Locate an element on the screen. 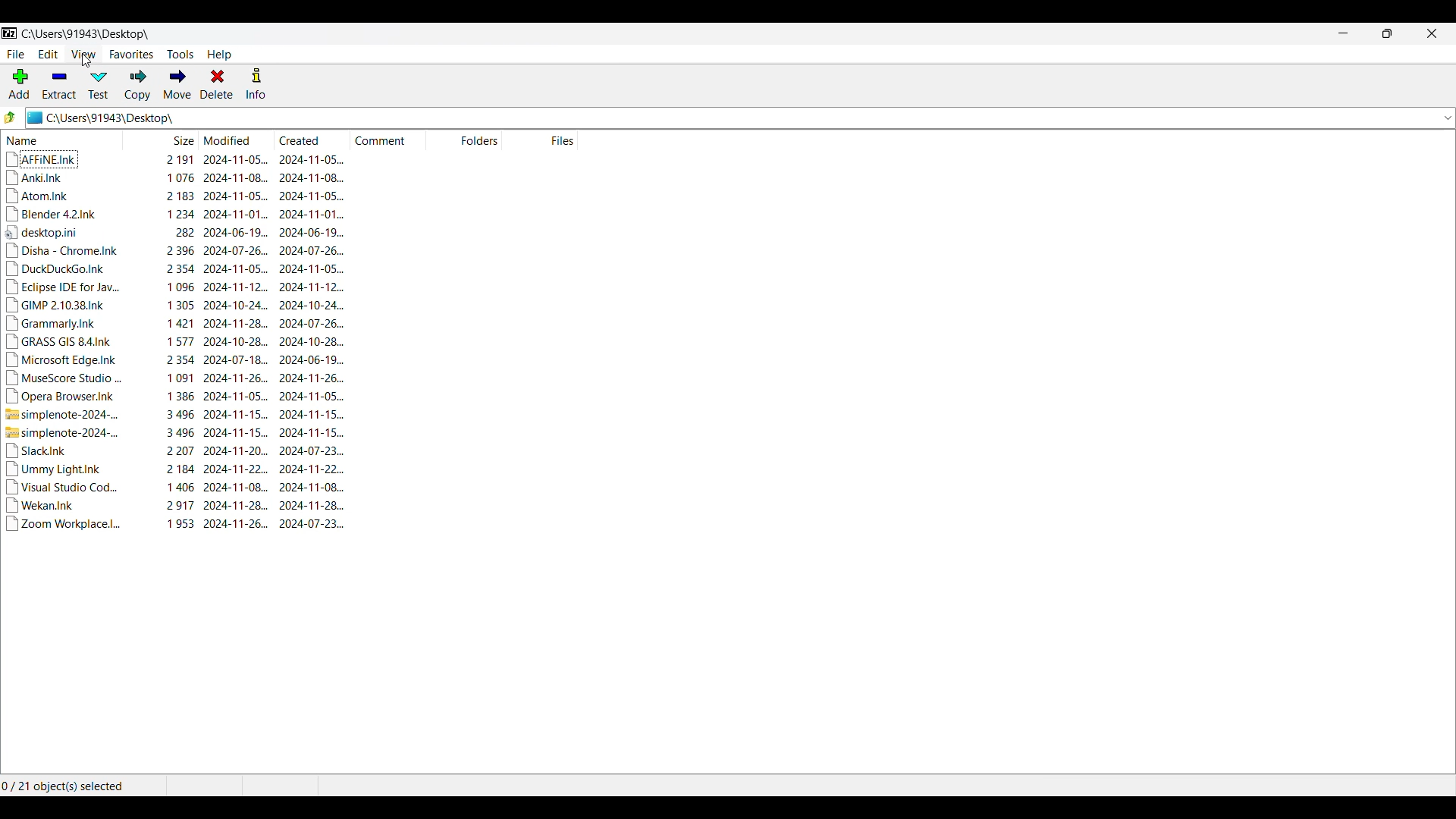 This screenshot has height=819, width=1456. GRASS GIS 84.Ink 1577 2024-10-28... 2024-10-28.. is located at coordinates (174, 342).